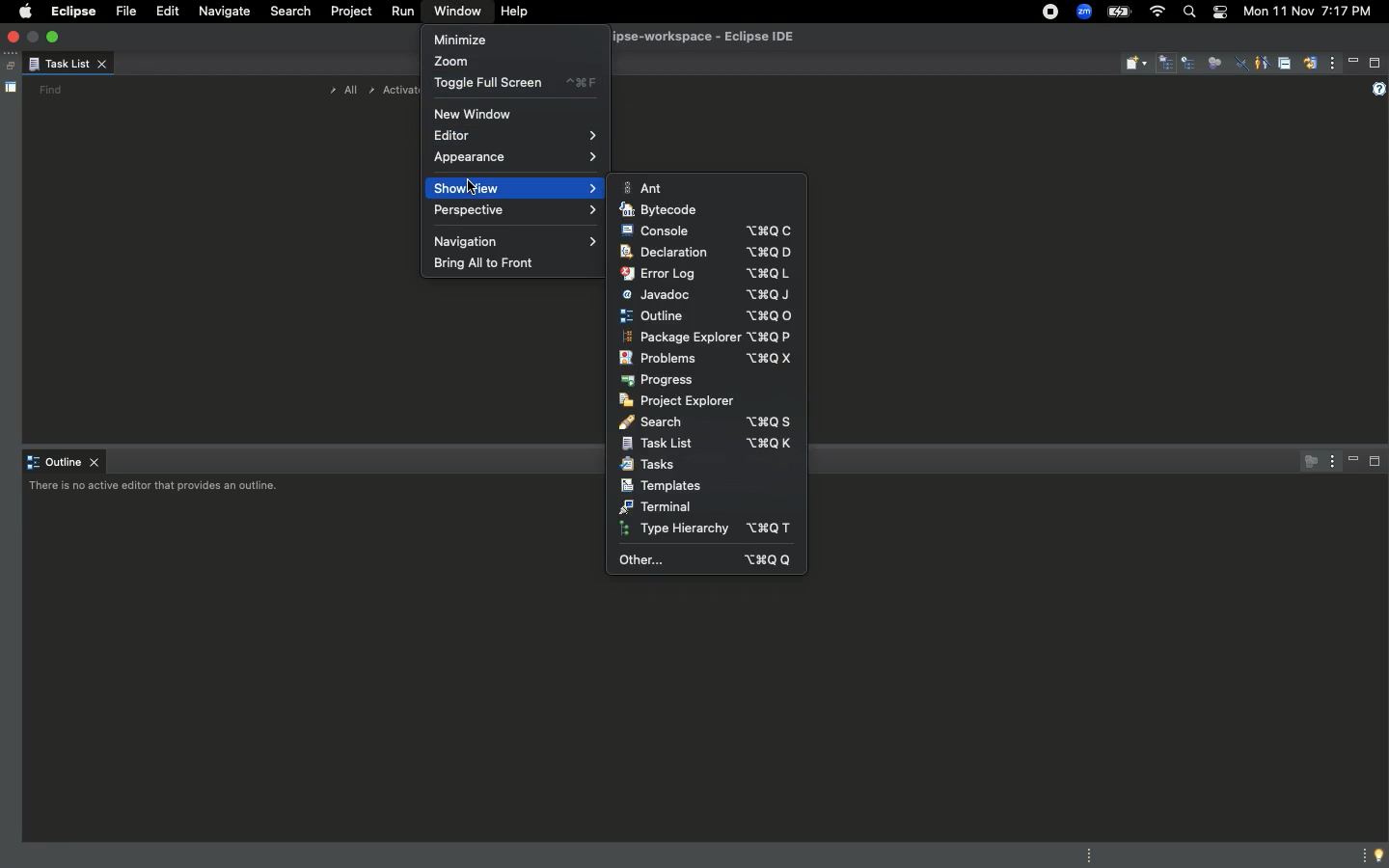 The height and width of the screenshot is (868, 1389). Describe the element at coordinates (1261, 62) in the screenshot. I see `Show only my tasks` at that location.